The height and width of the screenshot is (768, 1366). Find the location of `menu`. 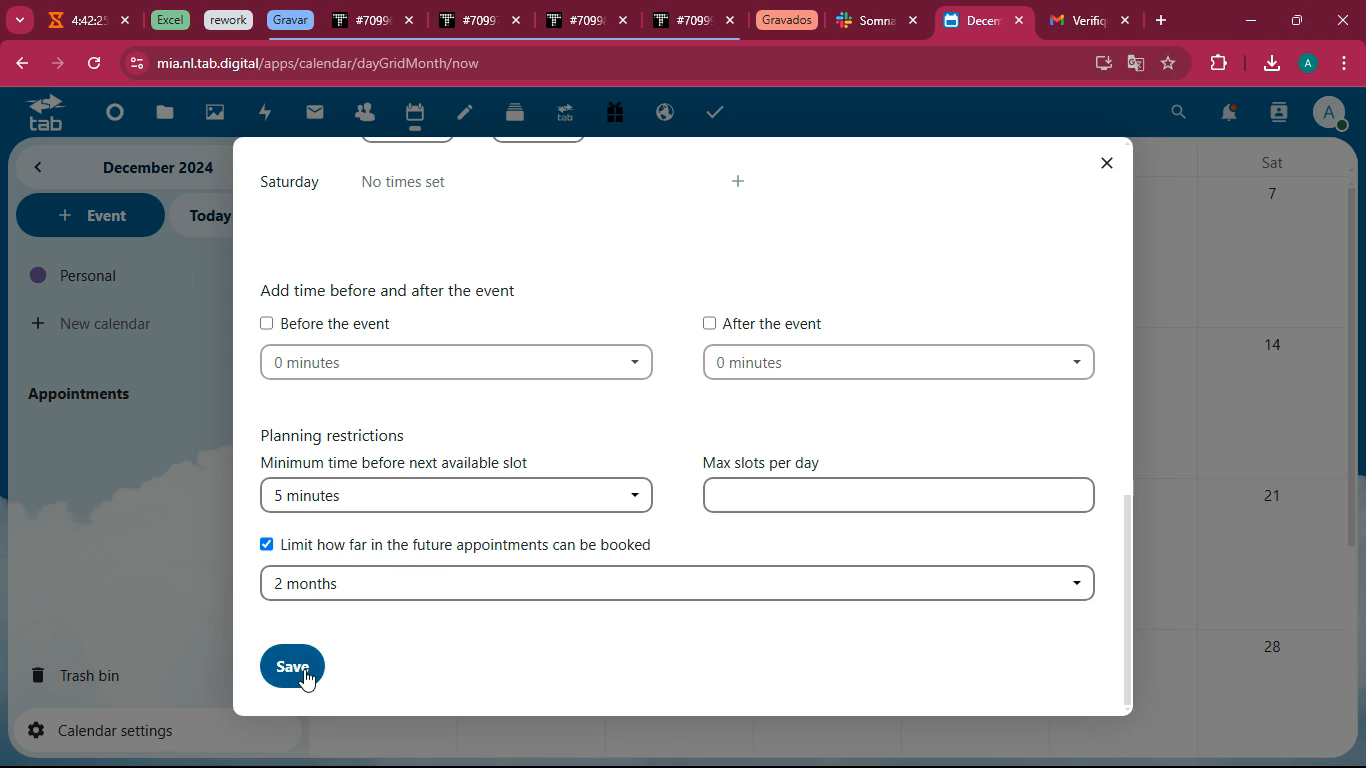

menu is located at coordinates (1341, 64).